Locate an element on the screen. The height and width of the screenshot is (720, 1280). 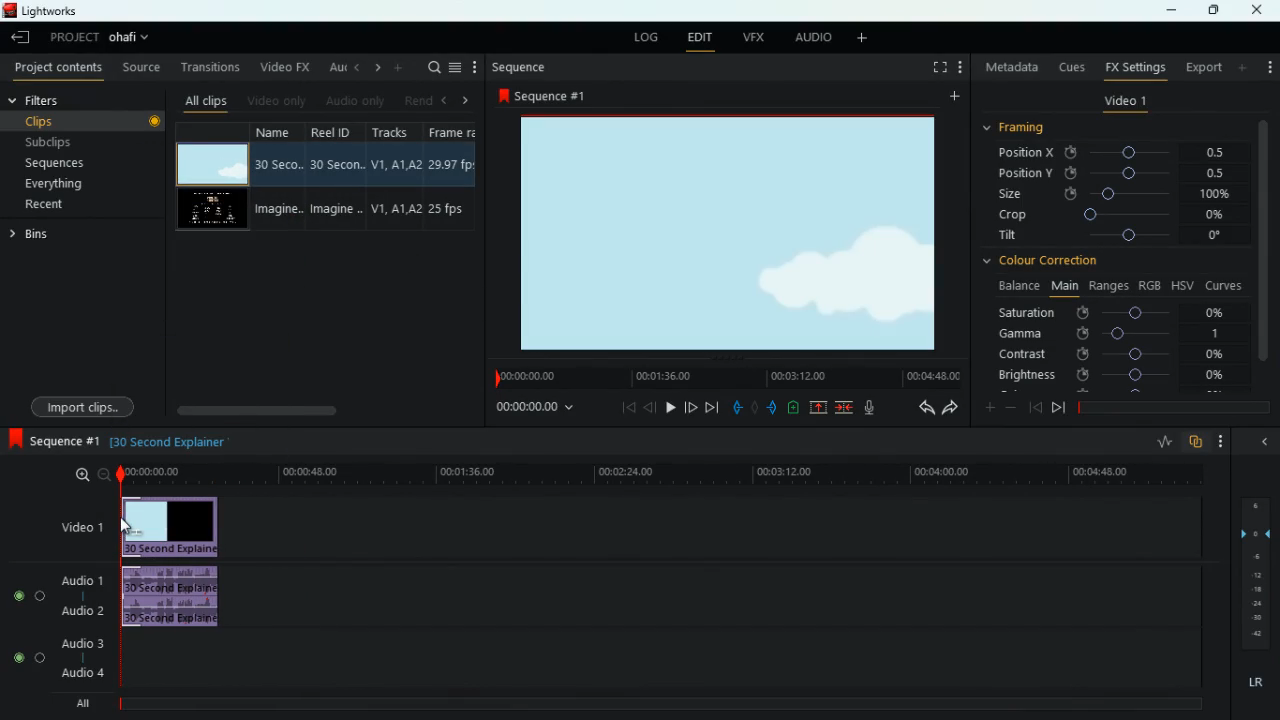
full screen is located at coordinates (937, 68).